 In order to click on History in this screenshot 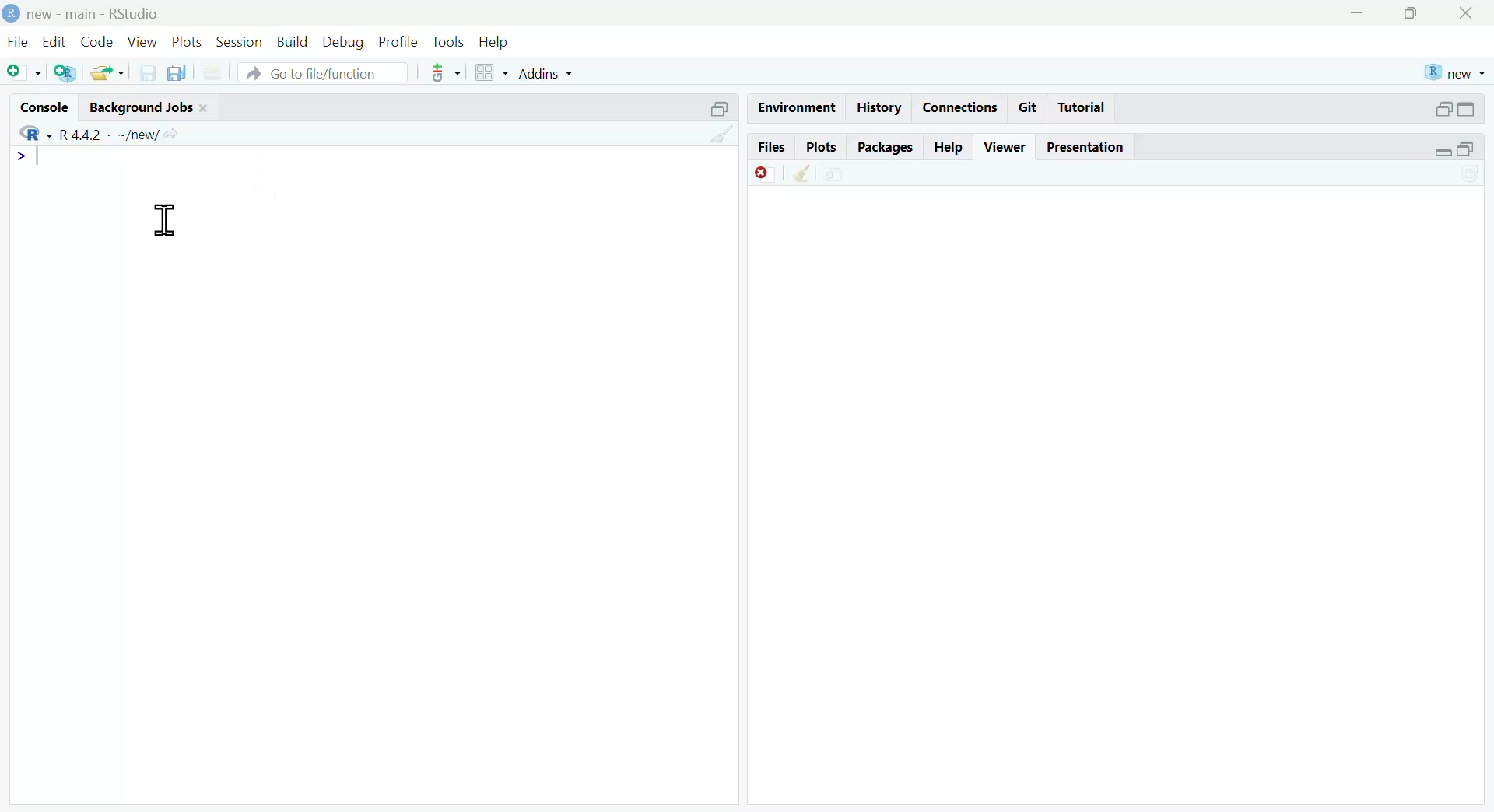, I will do `click(882, 109)`.